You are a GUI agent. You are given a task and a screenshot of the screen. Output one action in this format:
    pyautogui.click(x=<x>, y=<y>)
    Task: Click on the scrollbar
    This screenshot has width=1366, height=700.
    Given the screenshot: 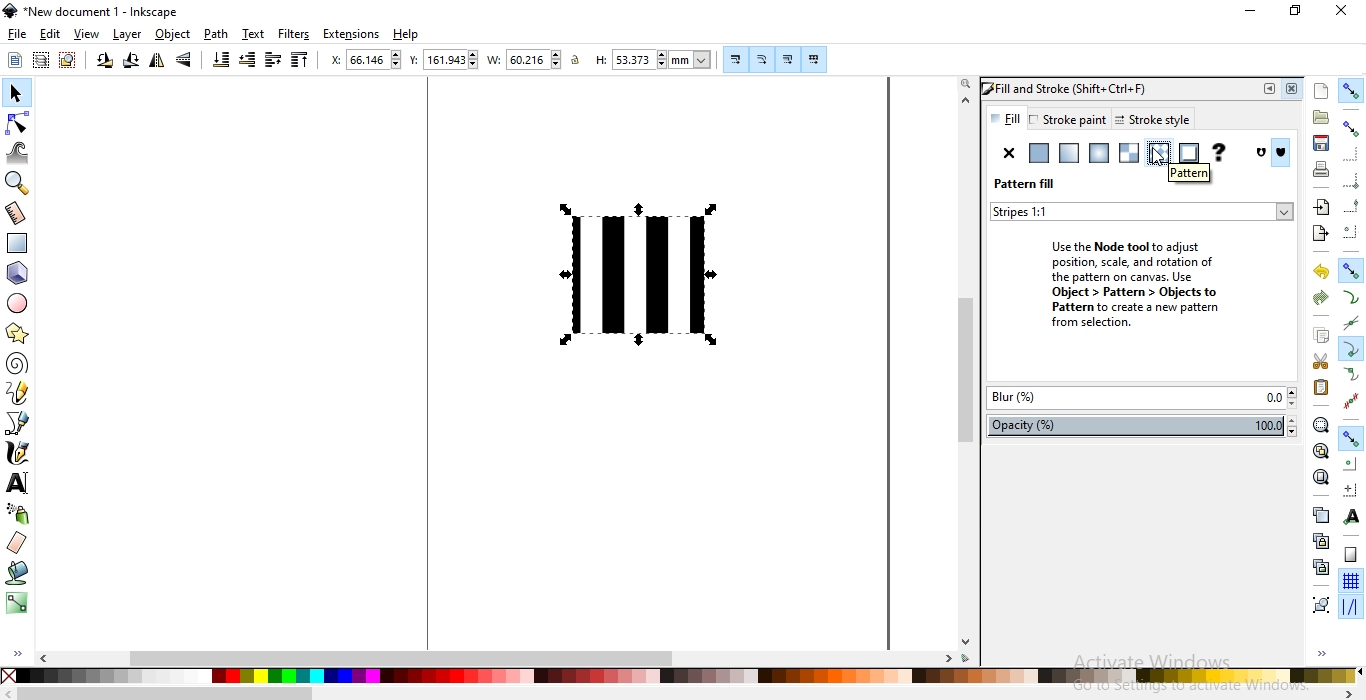 What is the action you would take?
    pyautogui.click(x=658, y=658)
    